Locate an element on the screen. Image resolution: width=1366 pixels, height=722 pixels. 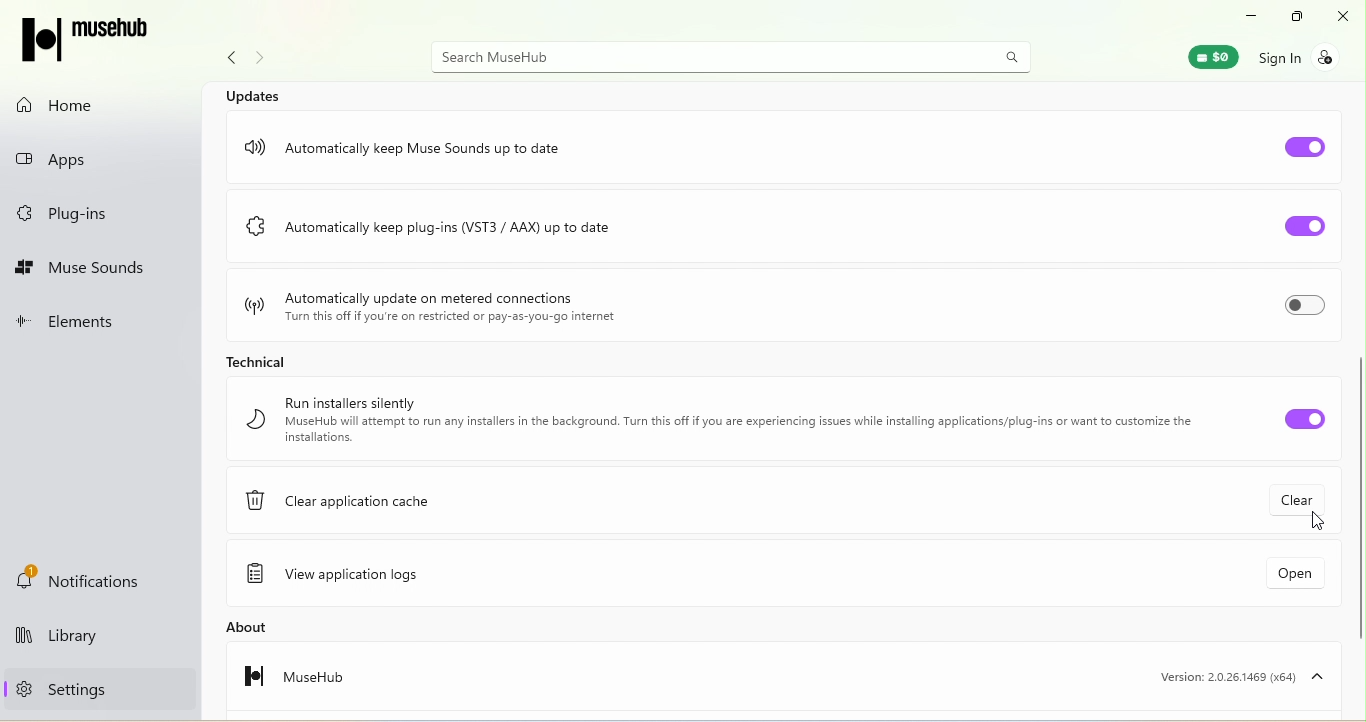
Sign In is located at coordinates (1308, 56).